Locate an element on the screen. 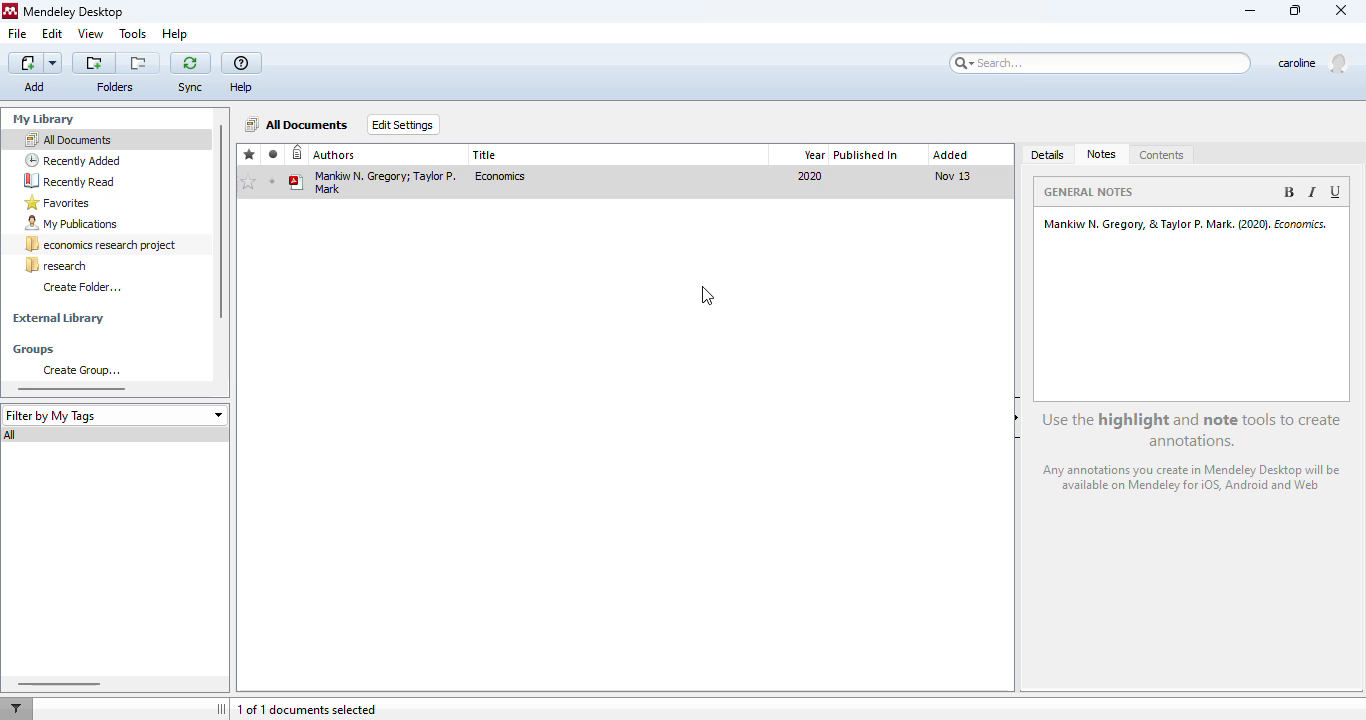 This screenshot has width=1366, height=720. research is located at coordinates (56, 265).